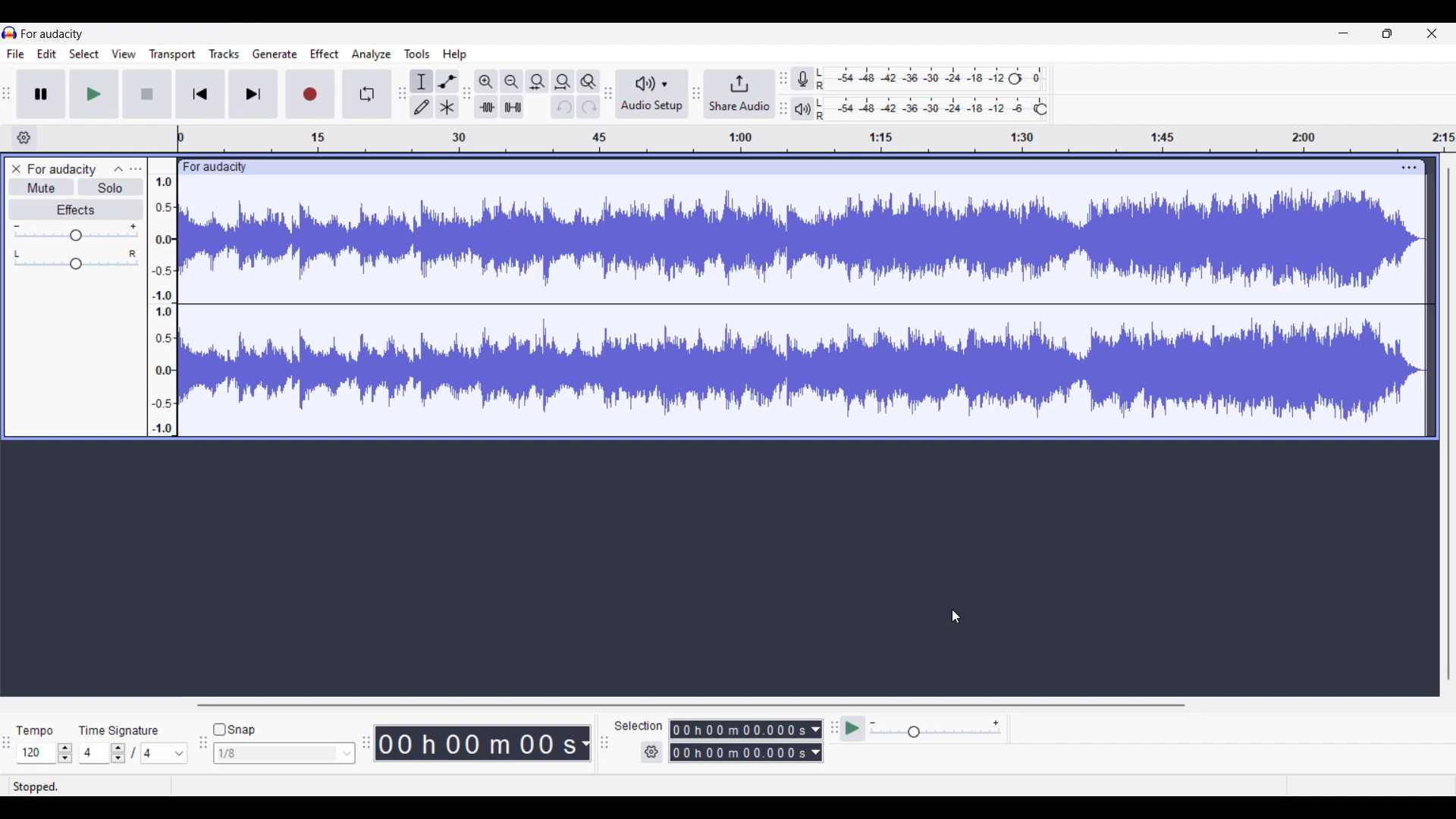  What do you see at coordinates (52, 34) in the screenshot?
I see `Current project name` at bounding box center [52, 34].